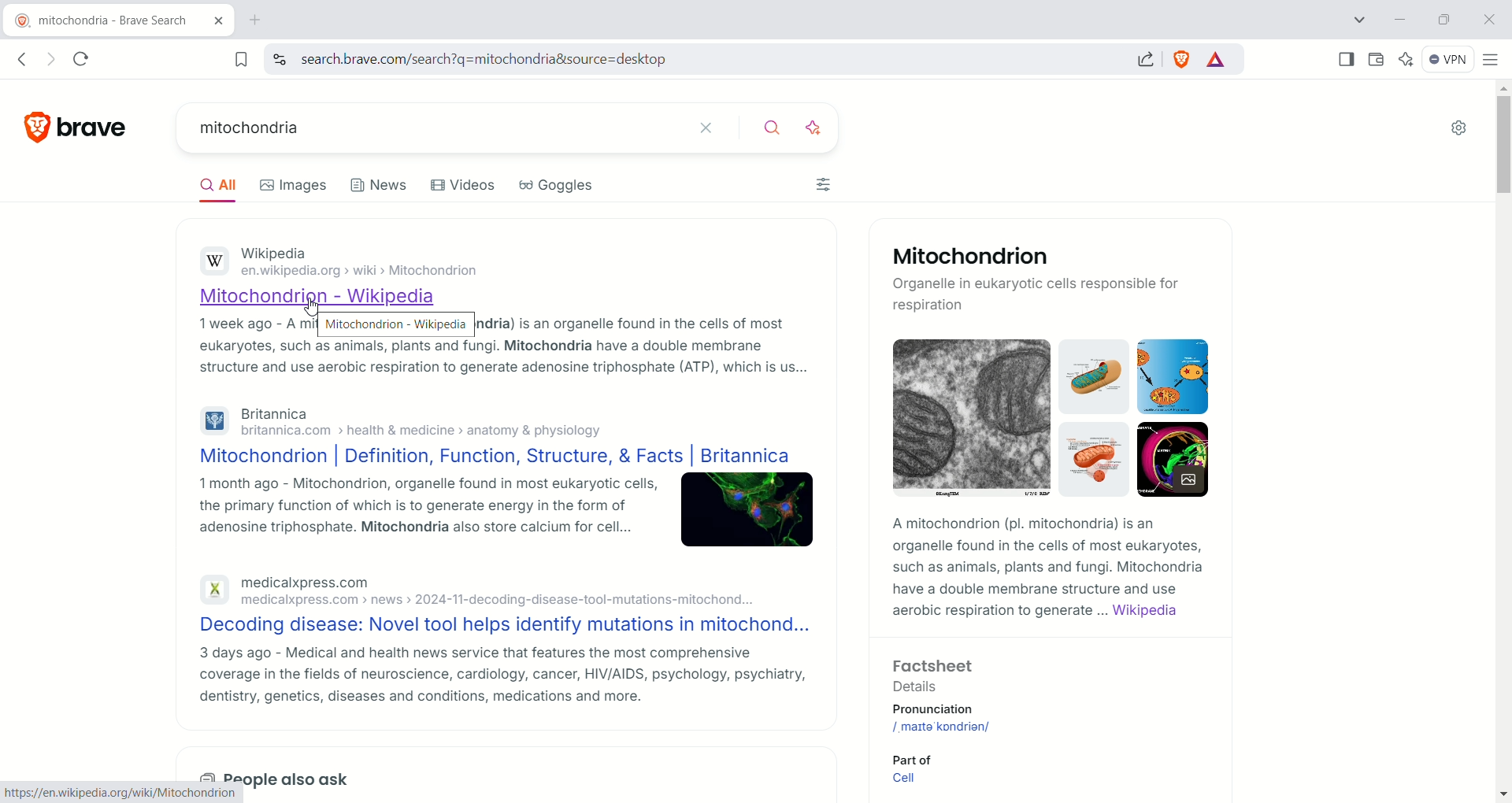  I want to click on maximize, so click(1447, 20).